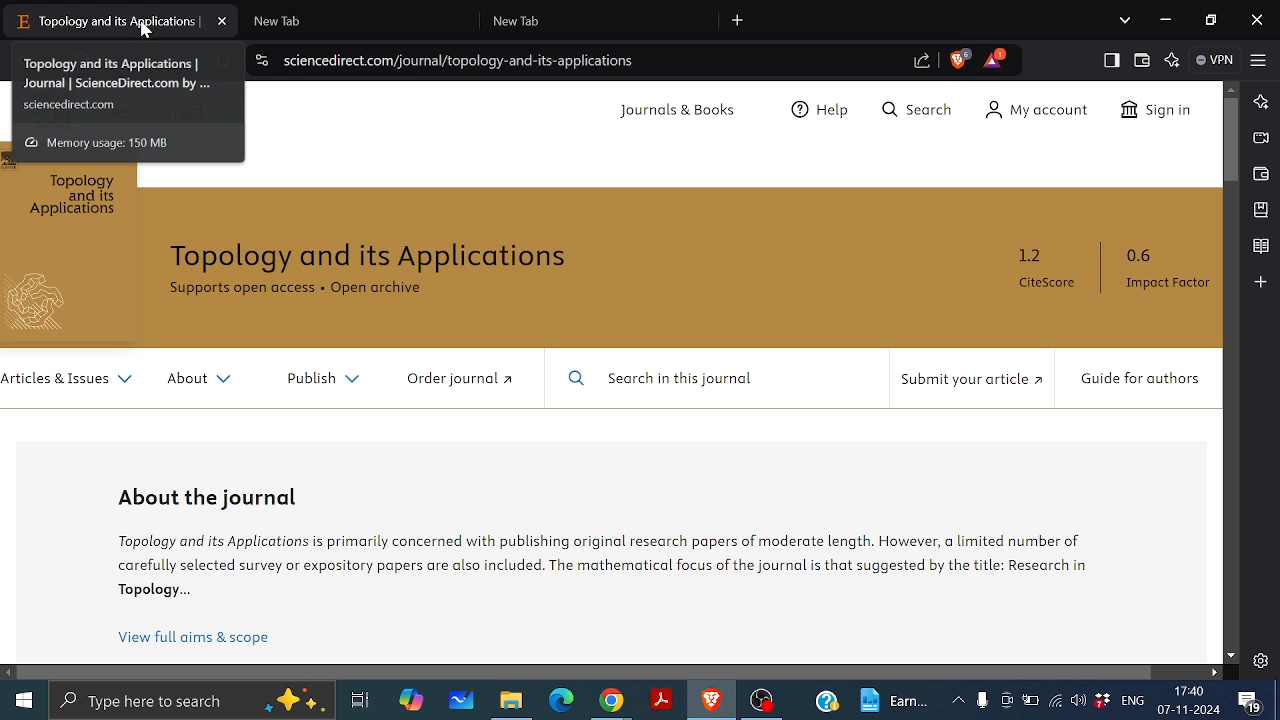 The image size is (1280, 720). Describe the element at coordinates (1132, 701) in the screenshot. I see `Language` at that location.